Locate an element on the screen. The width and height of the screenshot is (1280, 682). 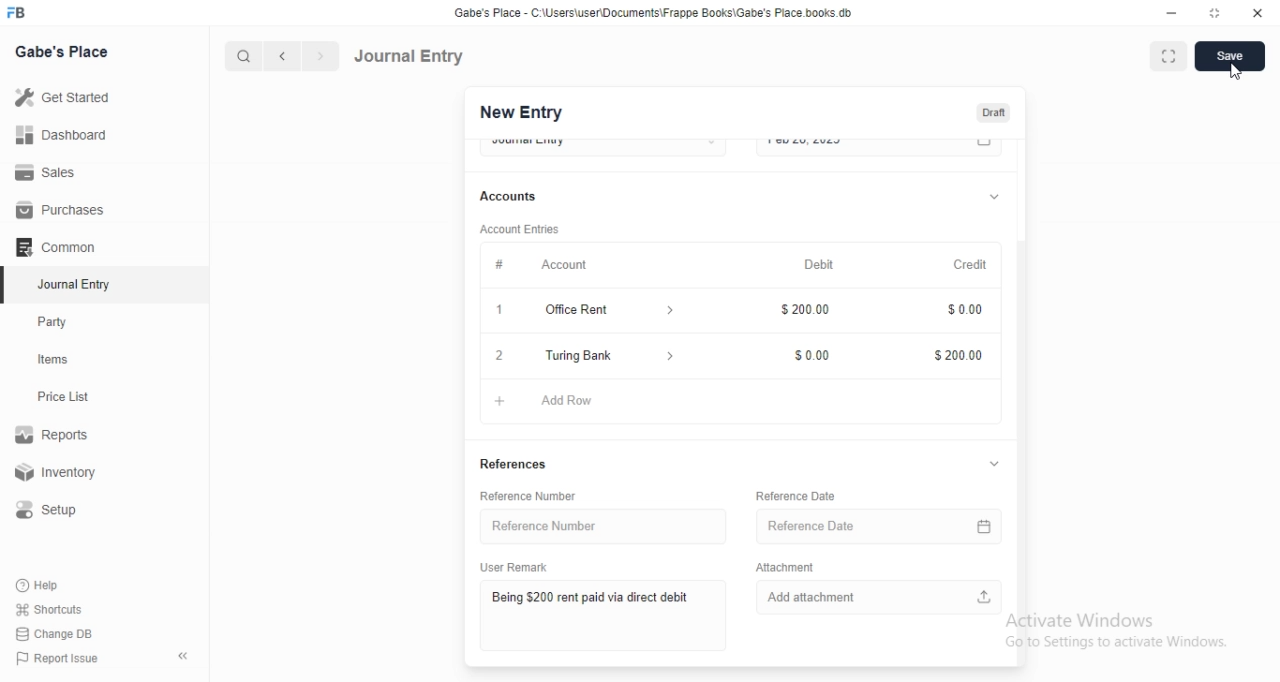
FB logo is located at coordinates (18, 13).